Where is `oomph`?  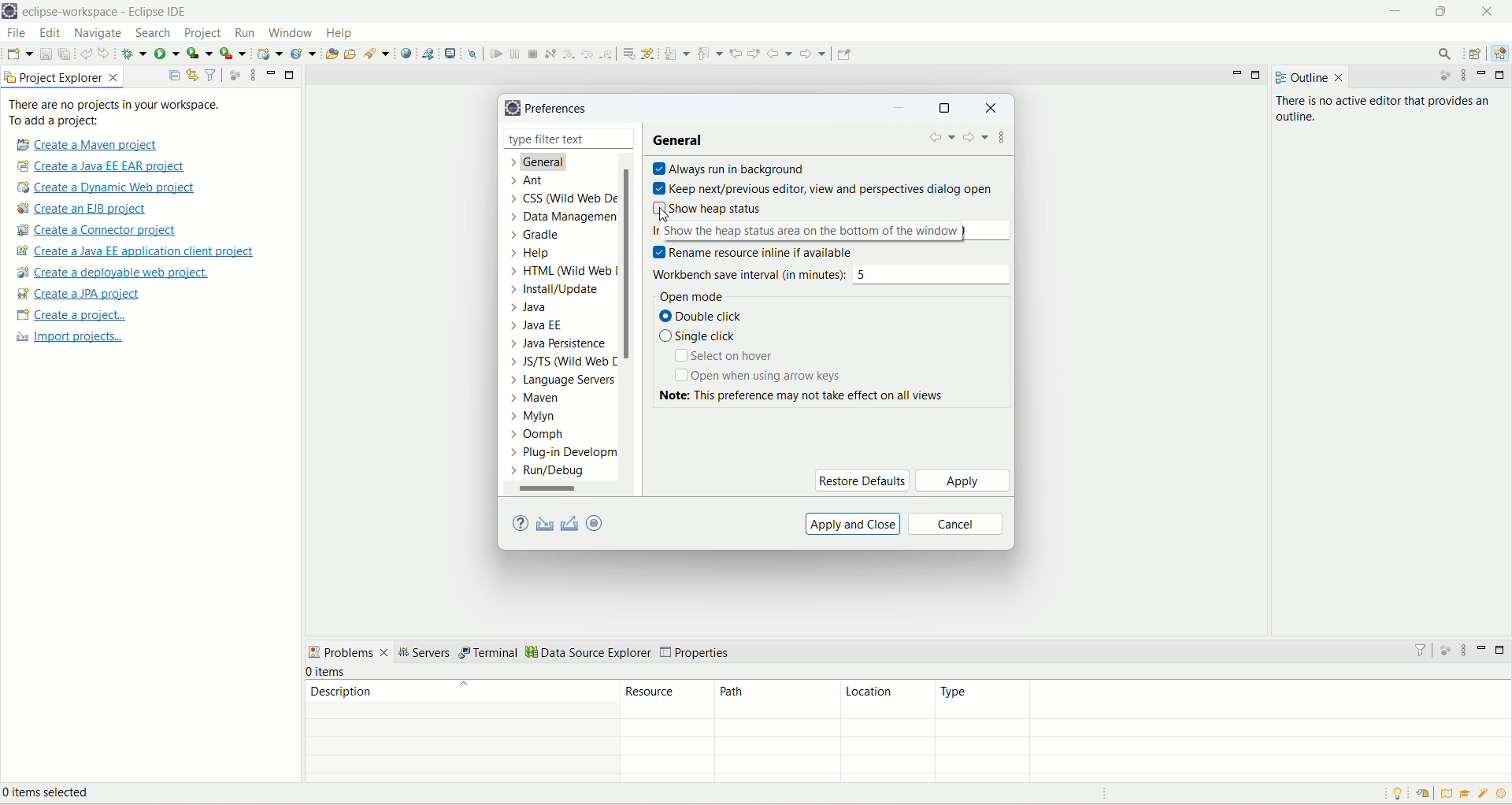
oomph is located at coordinates (538, 435).